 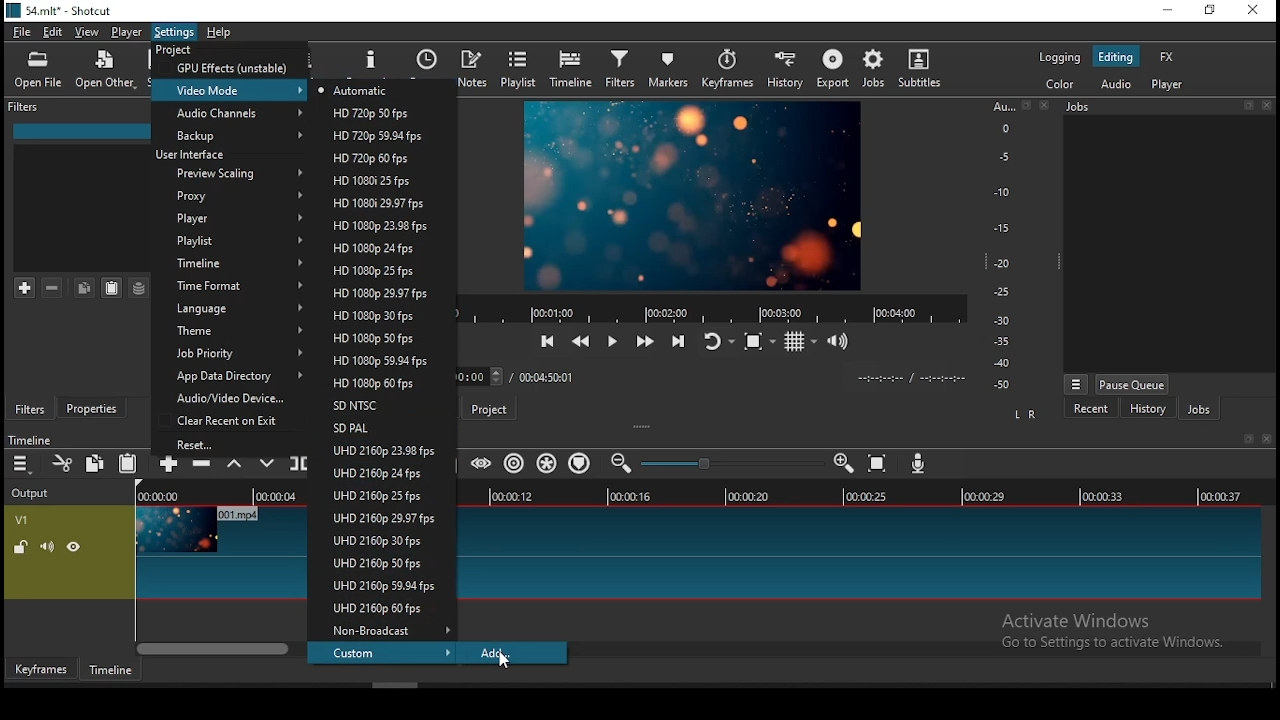 I want to click on pause queue, so click(x=1132, y=384).